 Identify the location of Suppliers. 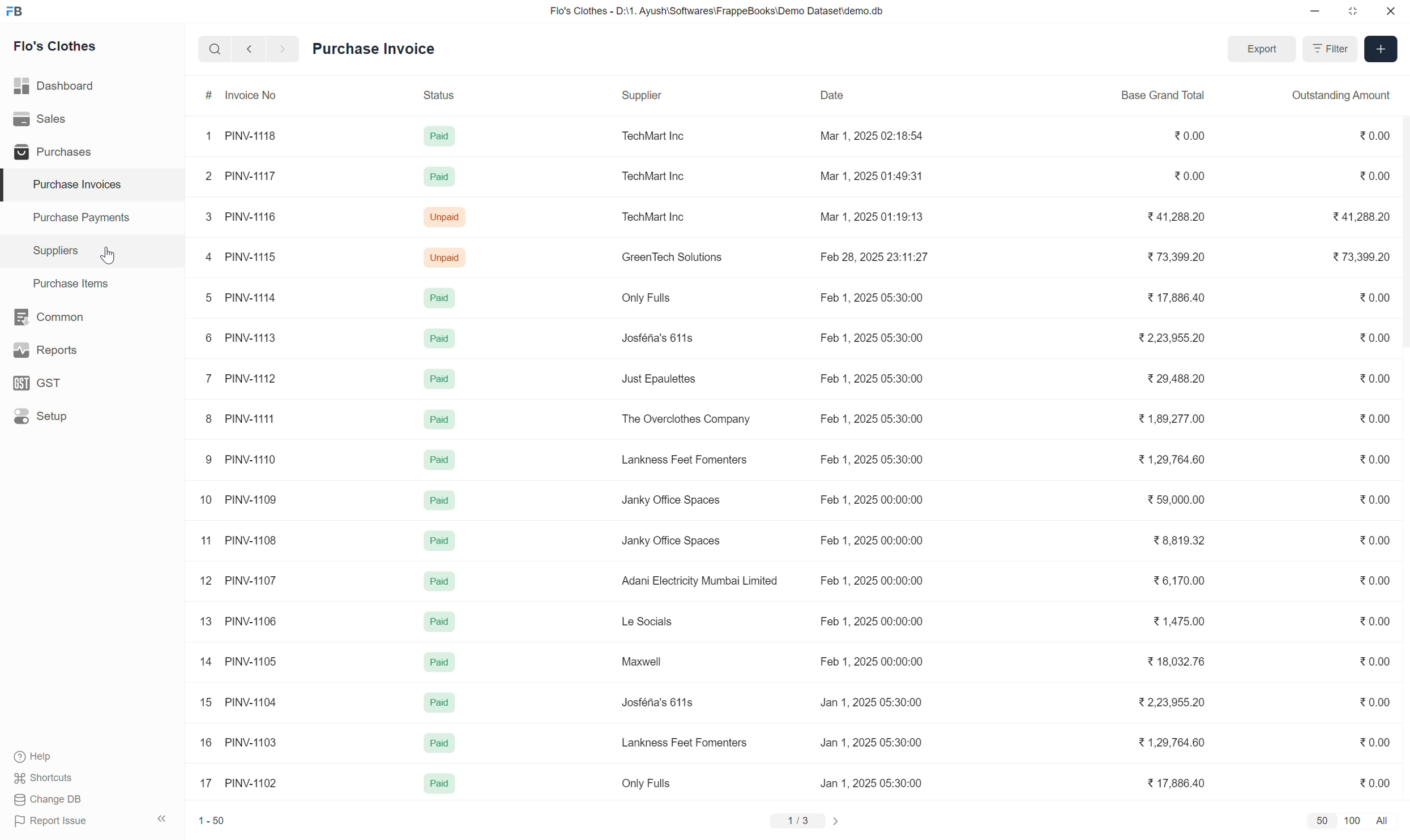
(51, 248).